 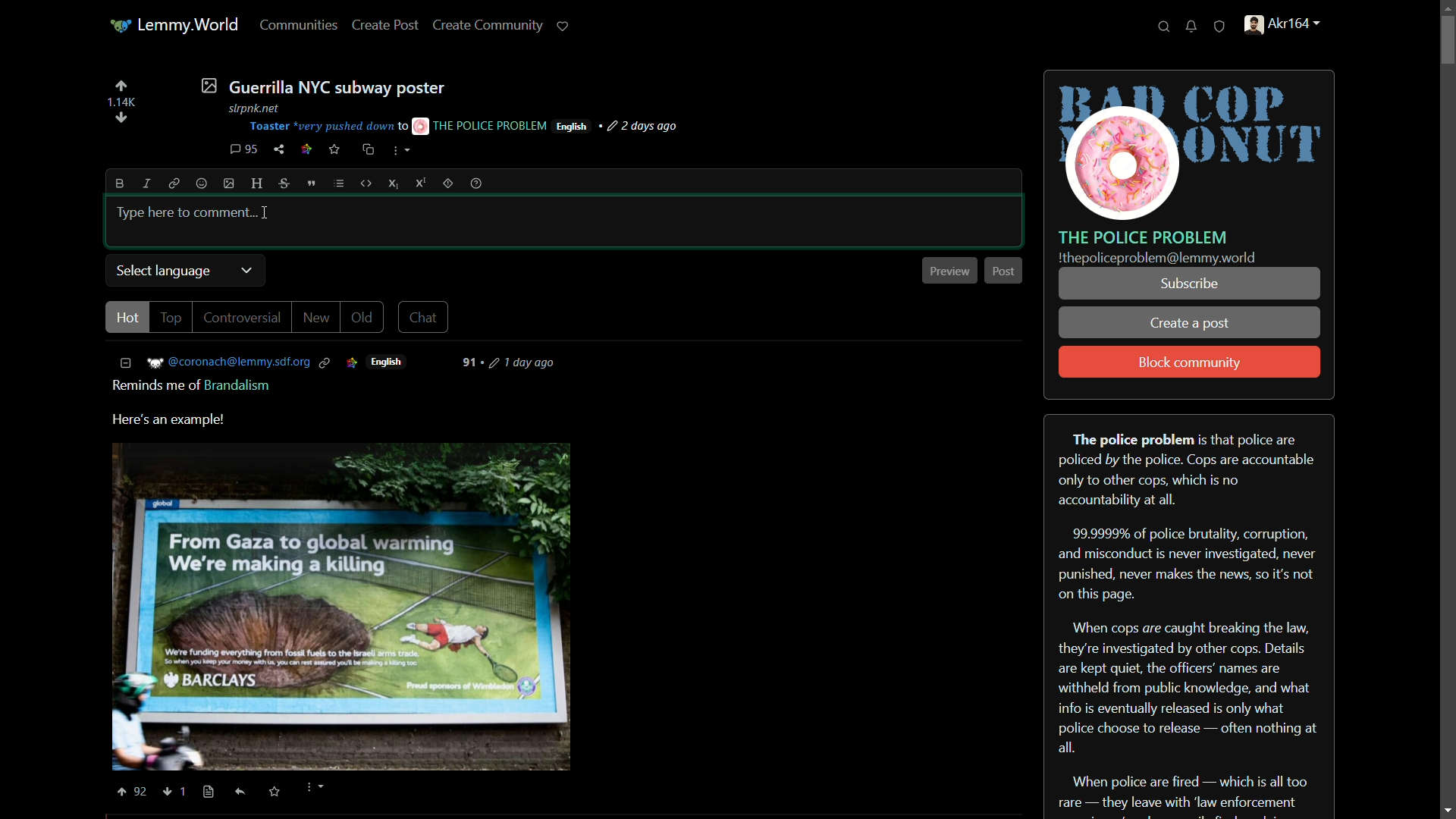 What do you see at coordinates (230, 184) in the screenshot?
I see `image` at bounding box center [230, 184].